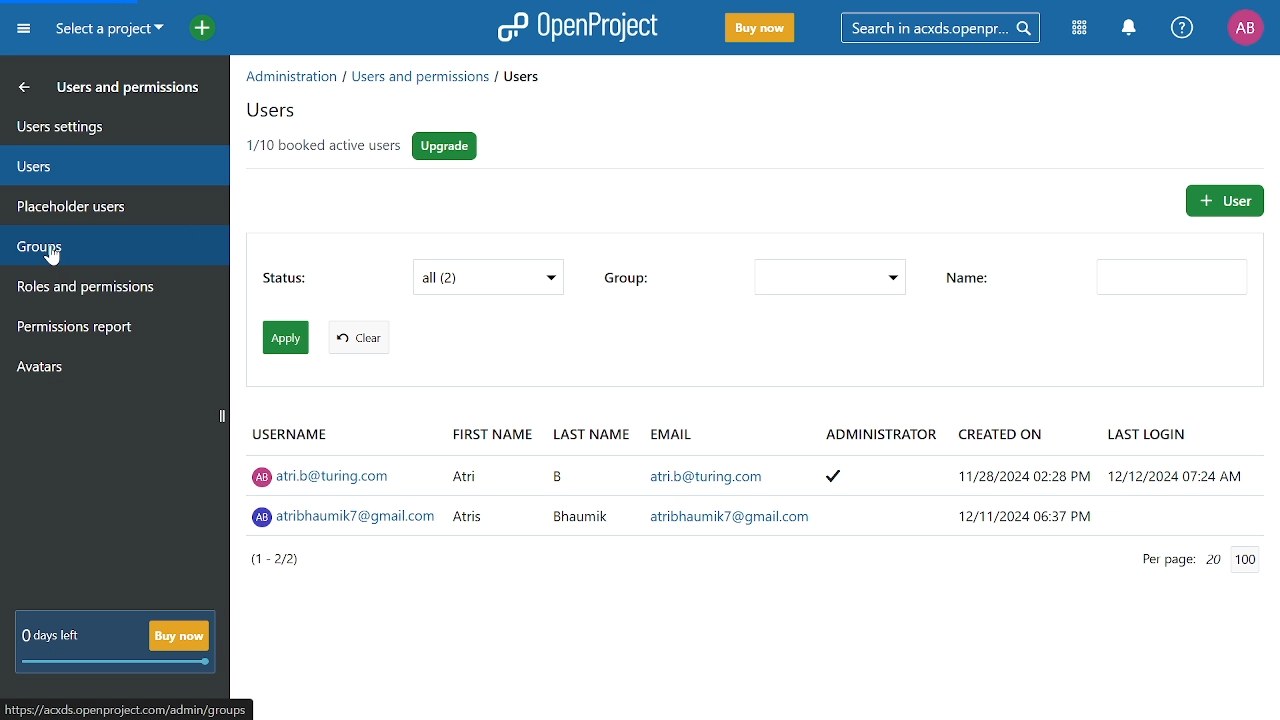  I want to click on add project, so click(197, 30).